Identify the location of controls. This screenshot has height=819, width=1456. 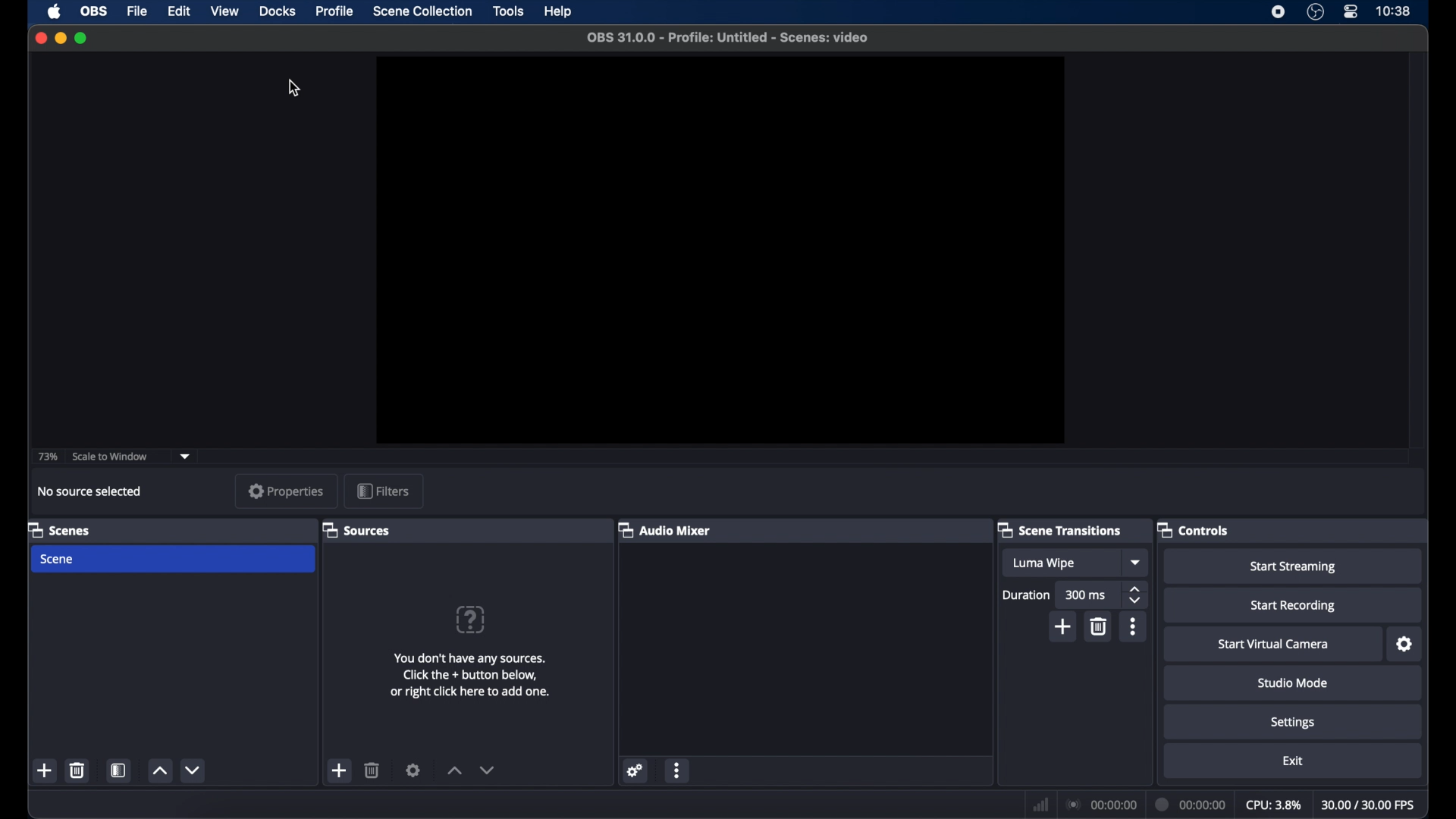
(1193, 529).